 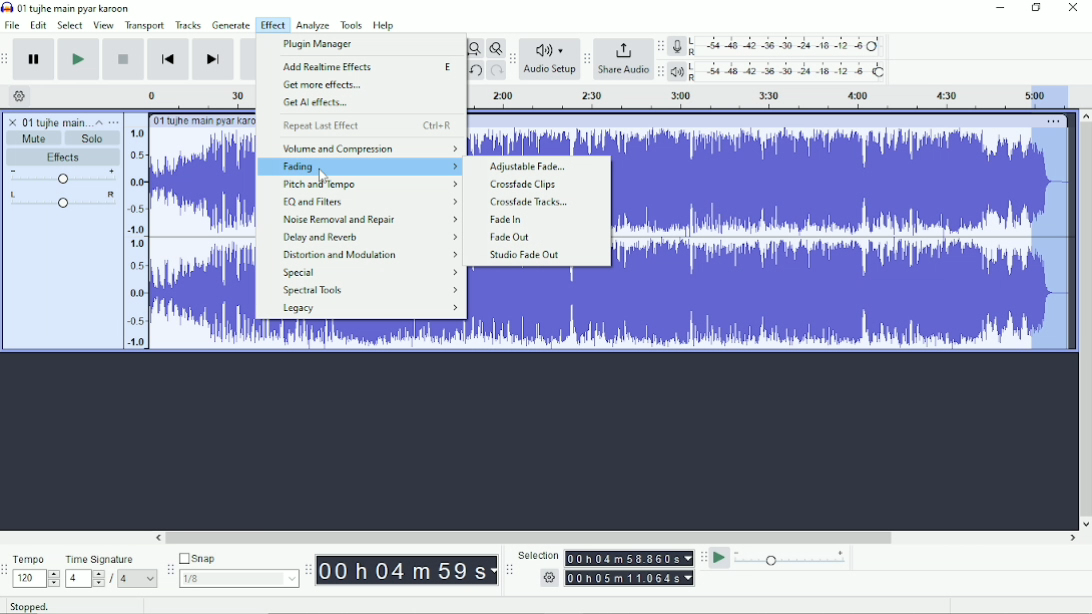 I want to click on Audacity recording meter toolbar, so click(x=661, y=47).